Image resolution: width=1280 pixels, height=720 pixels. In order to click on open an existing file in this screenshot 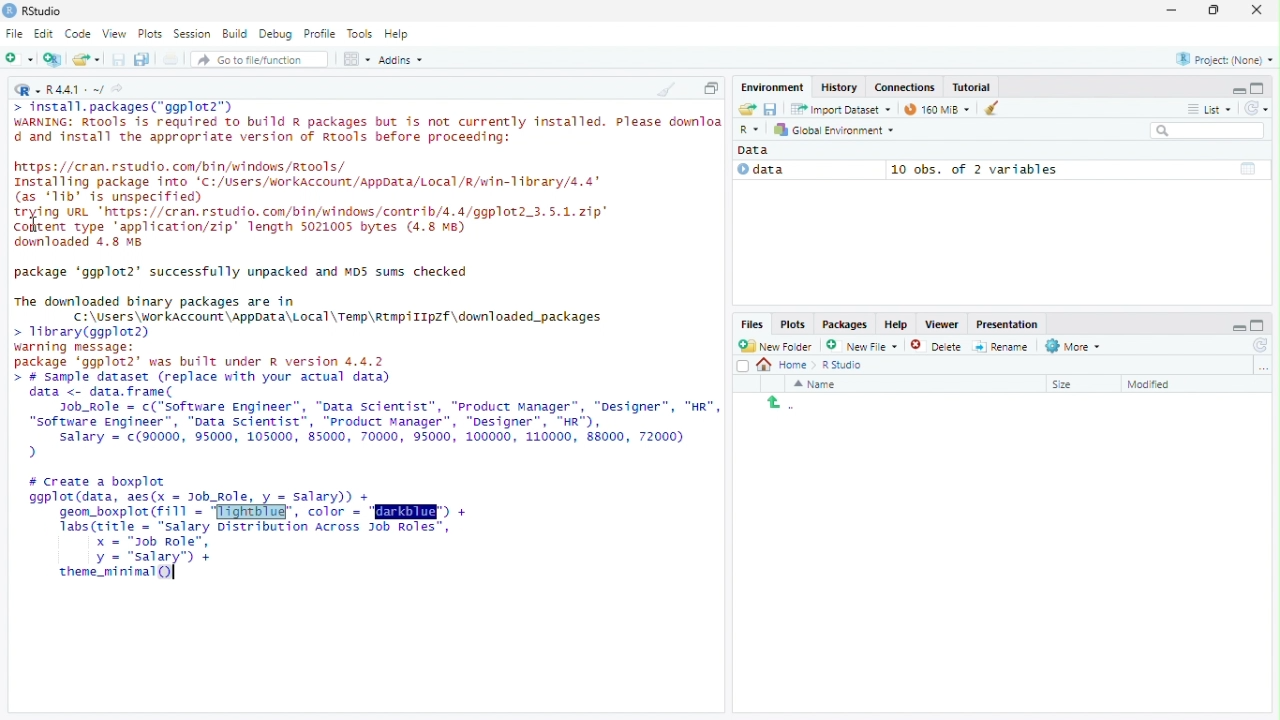, I will do `click(89, 59)`.